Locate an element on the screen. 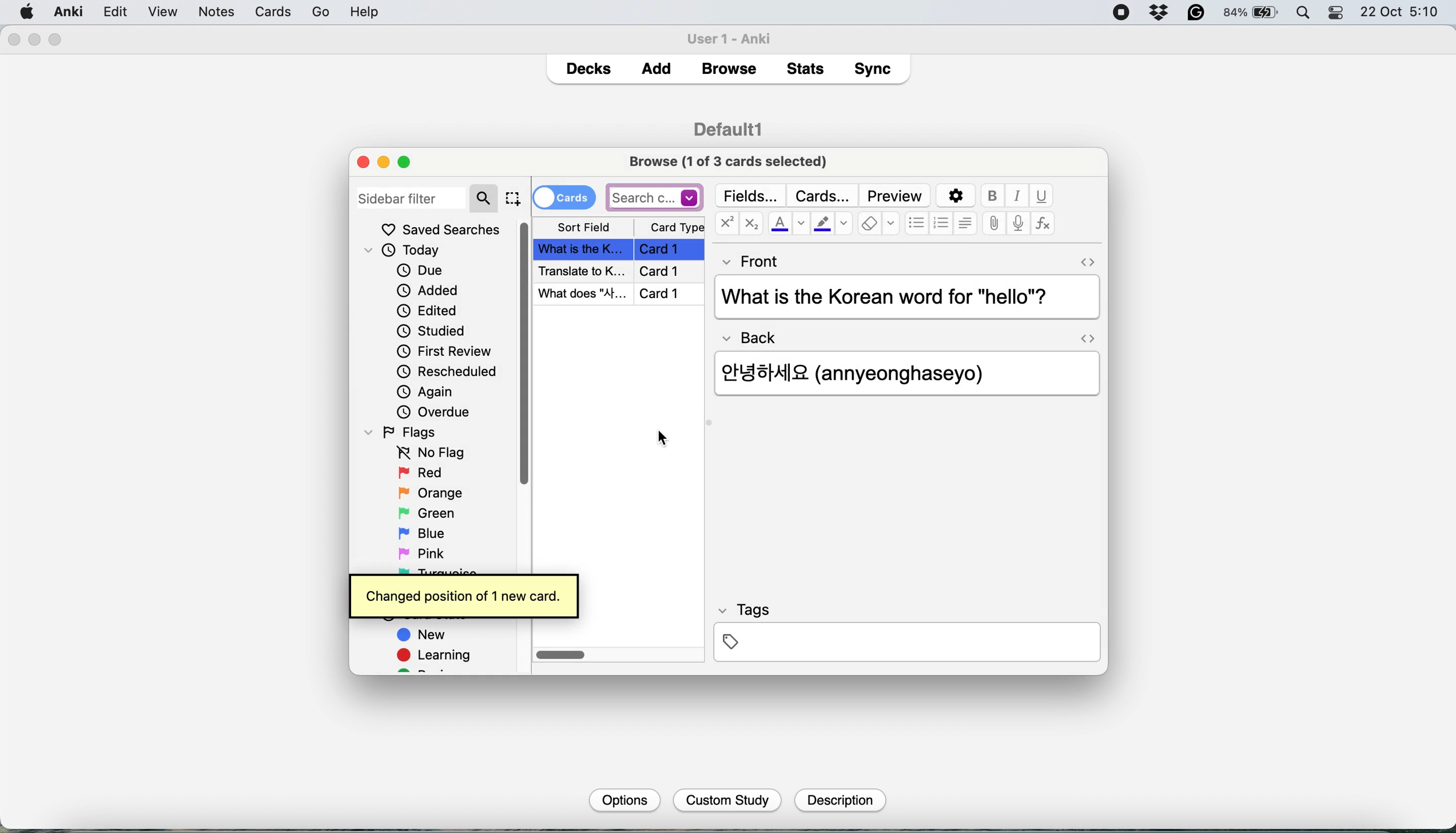 The image size is (1456, 833). cards is located at coordinates (822, 196).